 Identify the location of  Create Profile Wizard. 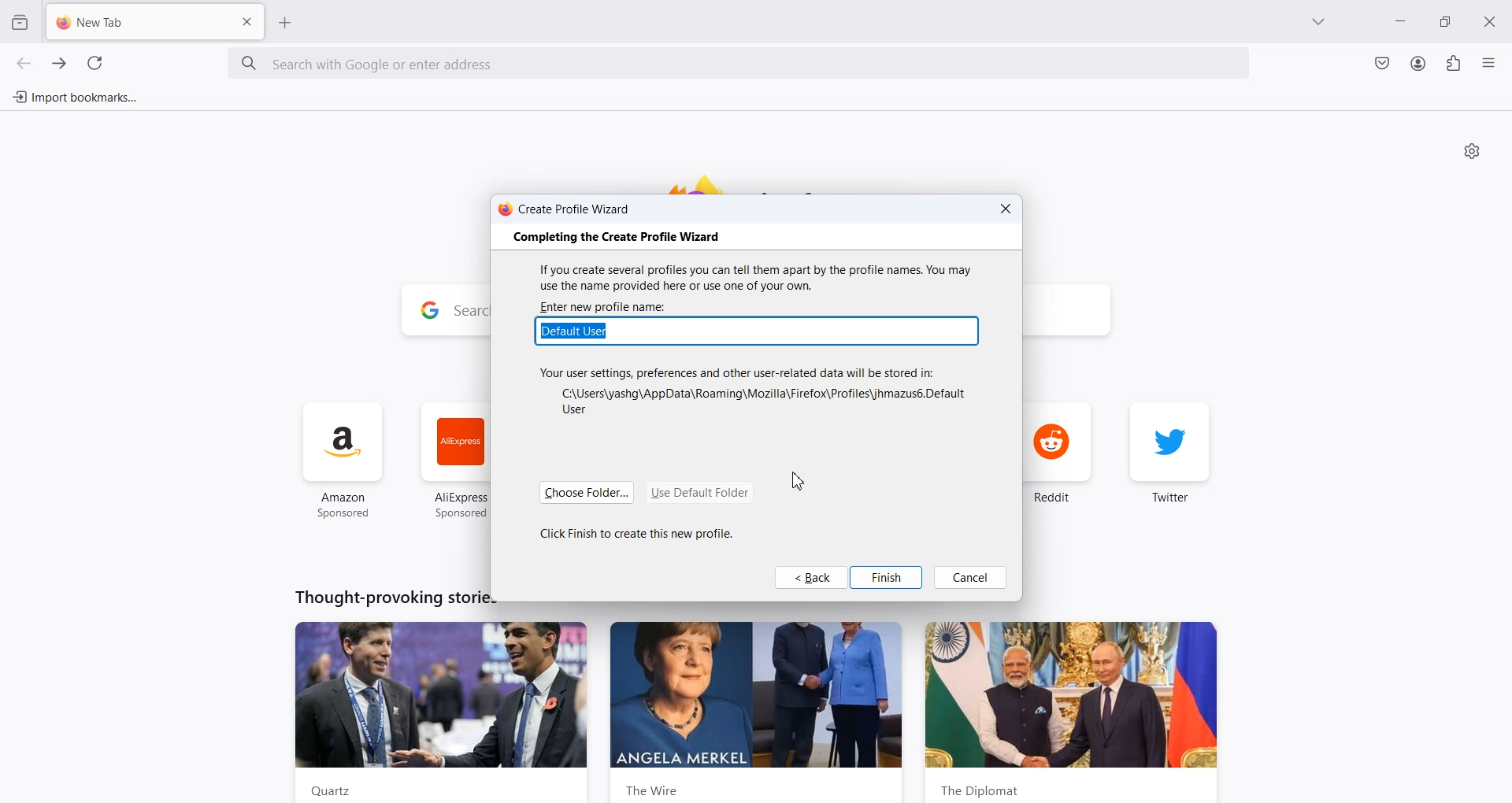
(571, 209).